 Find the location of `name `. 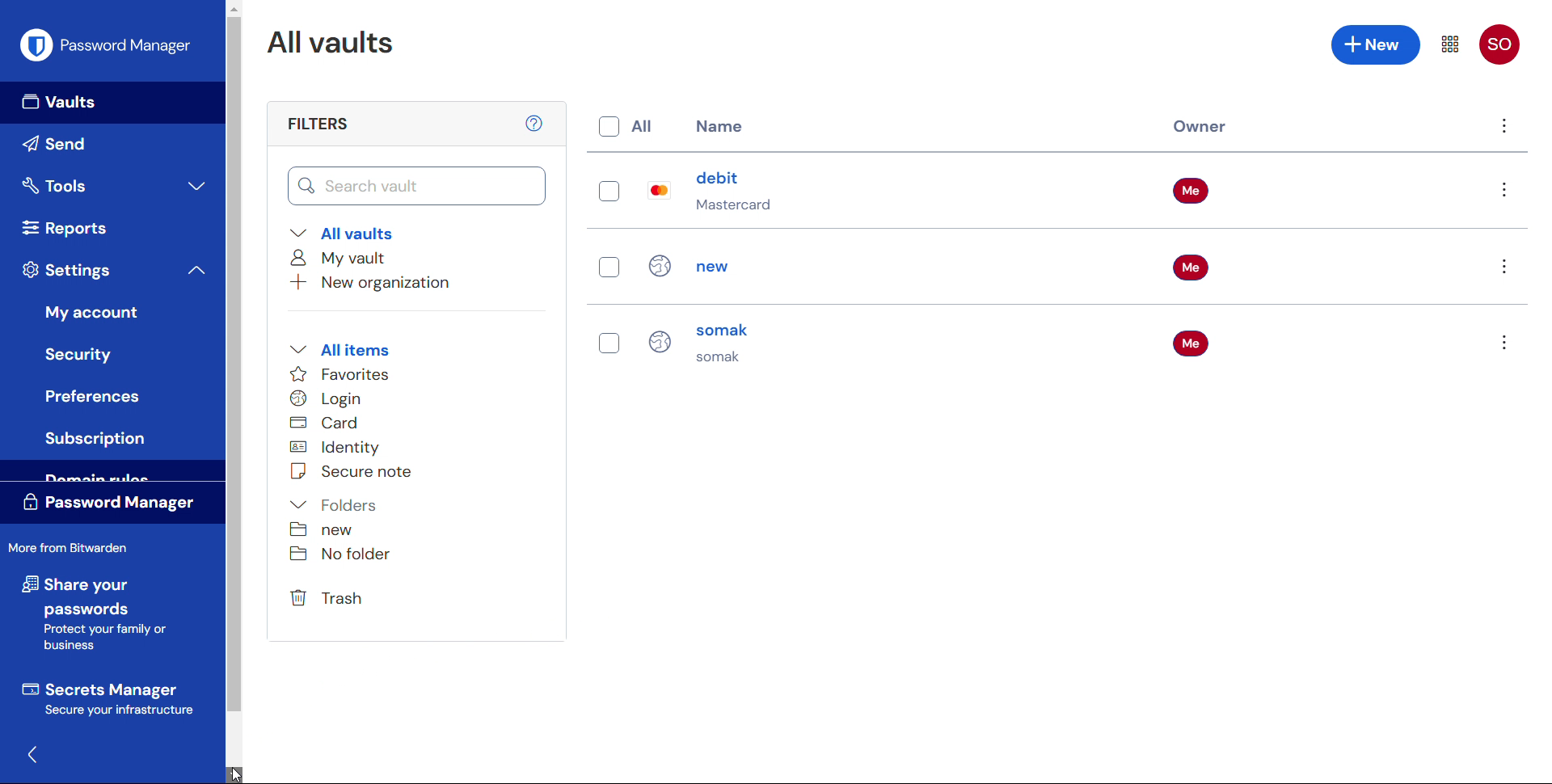

name  is located at coordinates (722, 124).